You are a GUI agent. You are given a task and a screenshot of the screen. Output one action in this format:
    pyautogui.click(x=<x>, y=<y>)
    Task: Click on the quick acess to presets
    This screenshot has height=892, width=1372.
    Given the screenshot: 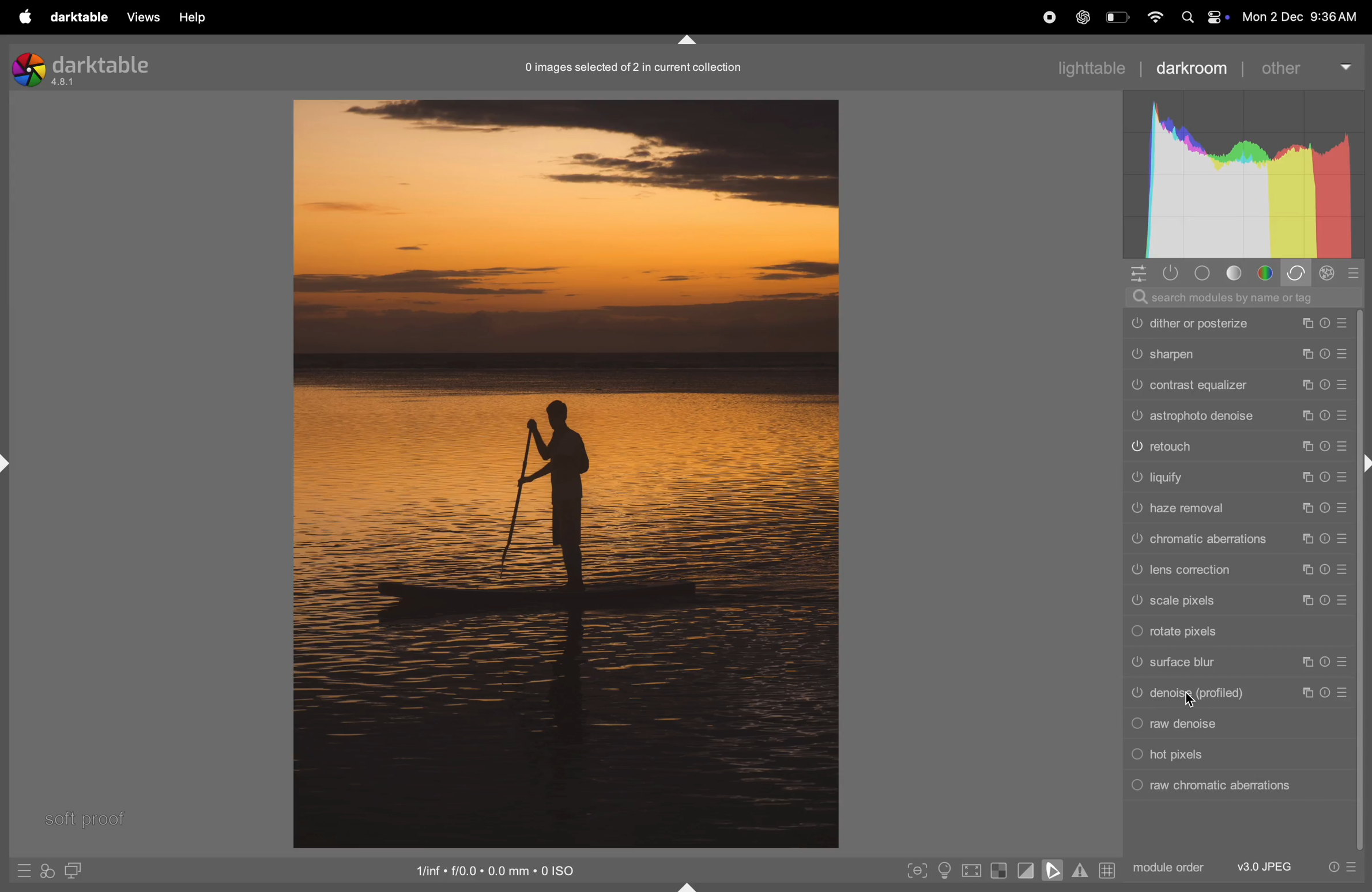 What is the action you would take?
    pyautogui.click(x=17, y=870)
    